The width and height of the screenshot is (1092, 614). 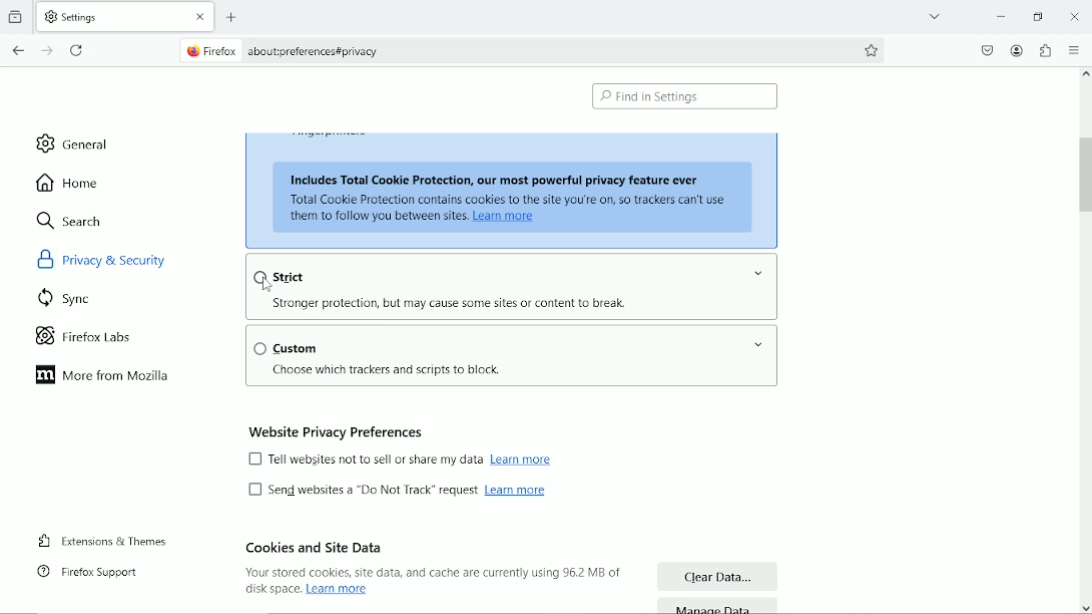 I want to click on Close, so click(x=1075, y=15).